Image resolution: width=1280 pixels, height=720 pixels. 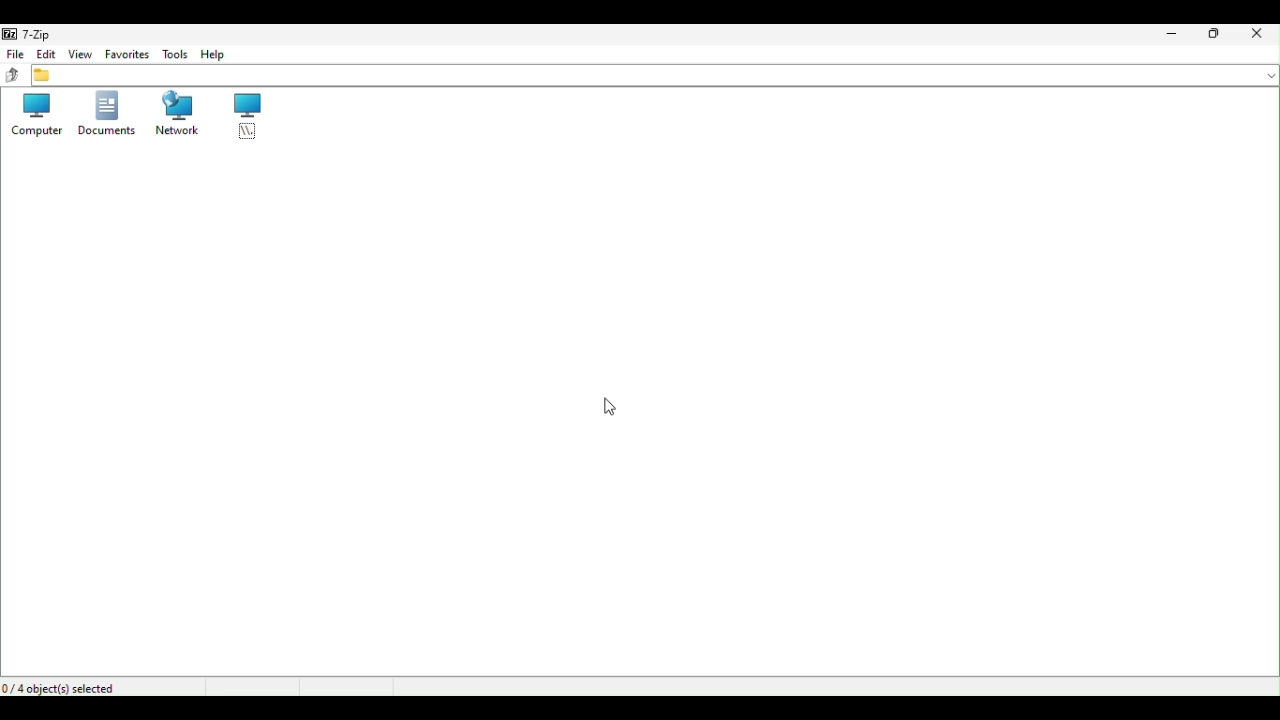 What do you see at coordinates (80, 53) in the screenshot?
I see `View` at bounding box center [80, 53].